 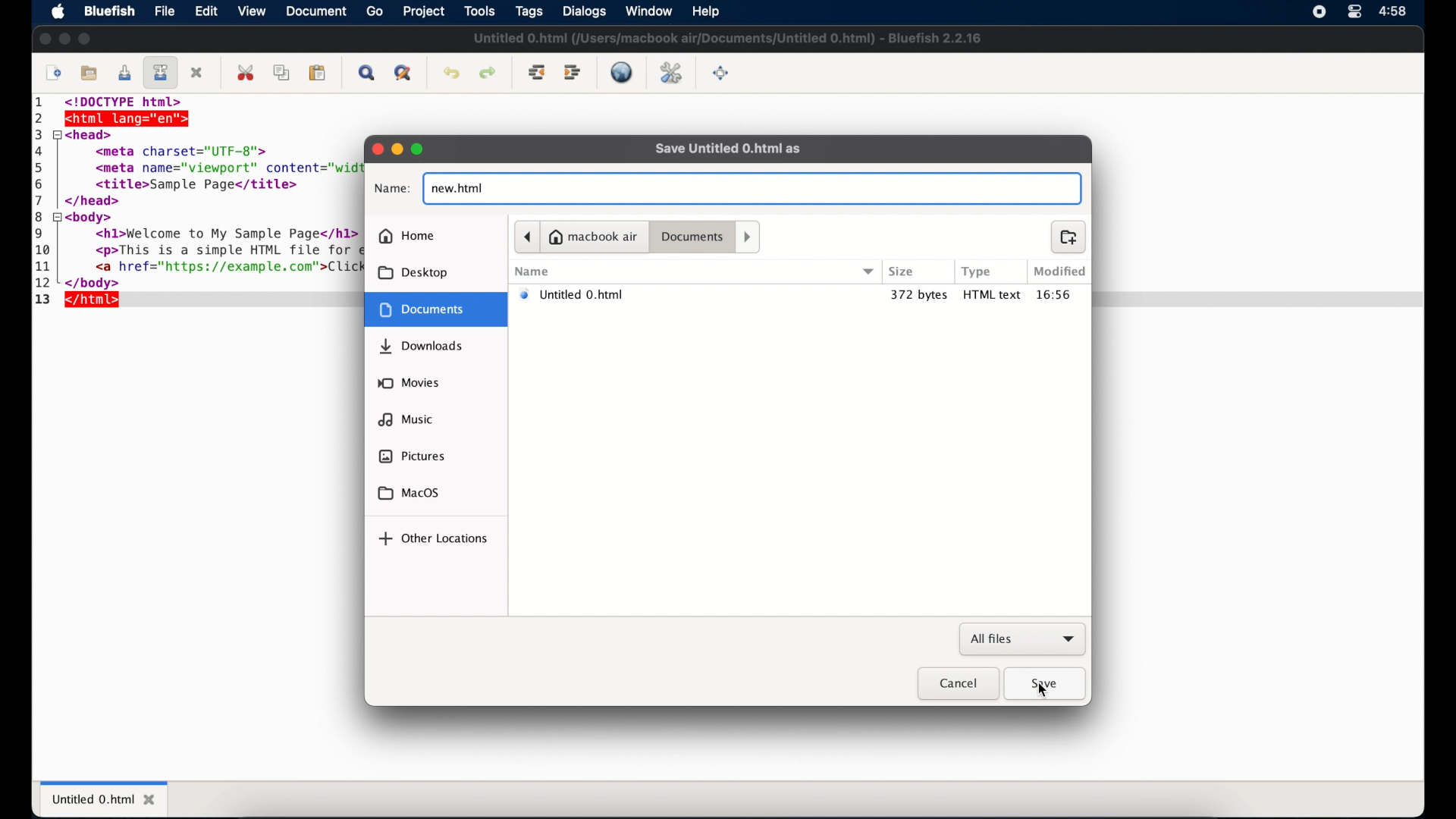 I want to click on new folder, so click(x=1068, y=237).